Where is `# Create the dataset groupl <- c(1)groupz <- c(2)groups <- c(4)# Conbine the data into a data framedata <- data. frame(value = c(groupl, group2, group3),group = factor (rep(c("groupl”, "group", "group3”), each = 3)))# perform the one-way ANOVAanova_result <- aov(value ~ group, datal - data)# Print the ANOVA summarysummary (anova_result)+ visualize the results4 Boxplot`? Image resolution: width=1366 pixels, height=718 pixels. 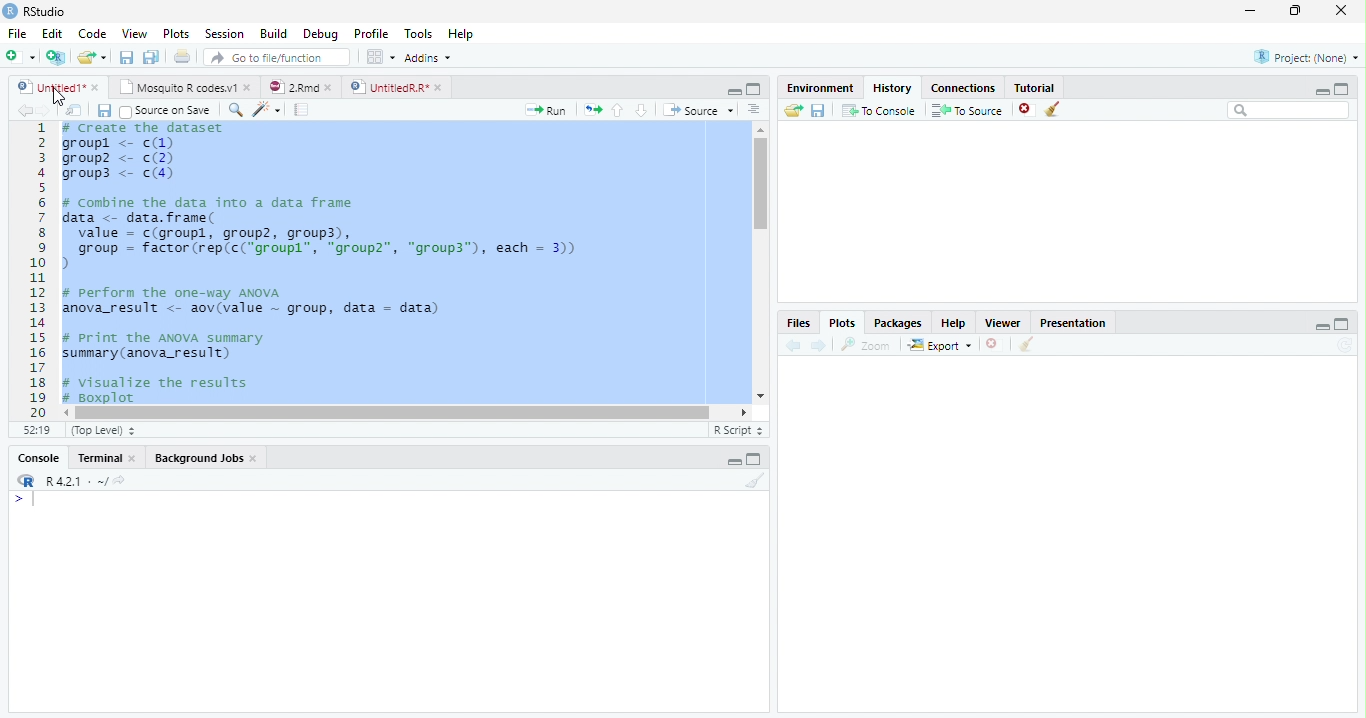 # Create the dataset groupl <- c(1)groupz <- c(2)groups <- c(4)# Conbine the data into a data framedata <- data. frame(value = c(groupl, group2, group3),group = factor (rep(c("groupl”, "group", "group3”), each = 3)))# perform the one-way ANOVAanova_result <- aov(value ~ group, datal - data)# Print the ANOVA summarysummary (anova_result)+ visualize the results4 Boxplot is located at coordinates (361, 263).